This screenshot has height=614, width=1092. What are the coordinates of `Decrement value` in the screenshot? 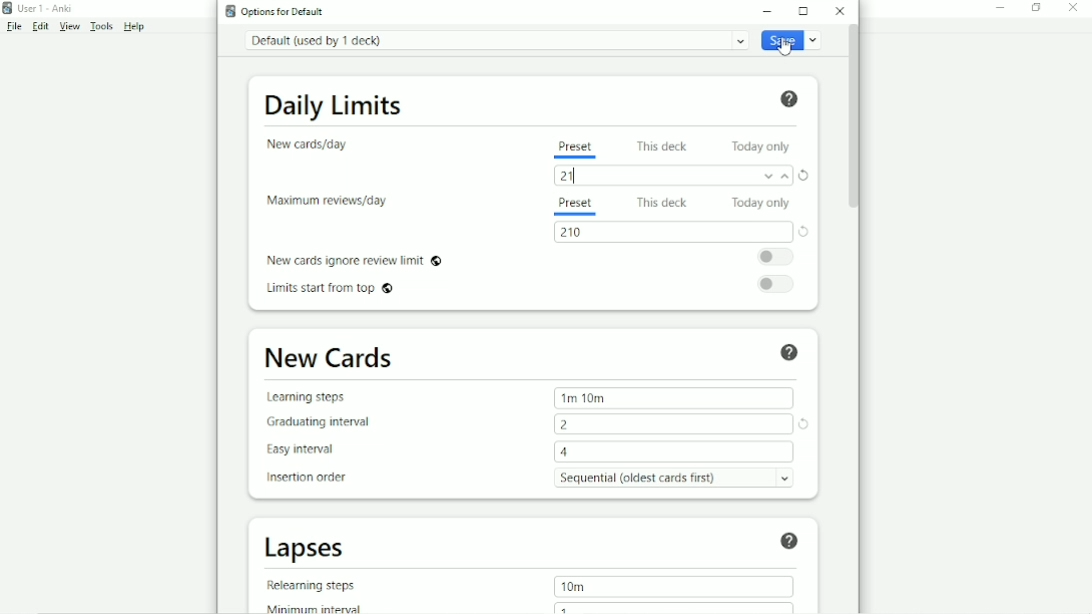 It's located at (768, 177).